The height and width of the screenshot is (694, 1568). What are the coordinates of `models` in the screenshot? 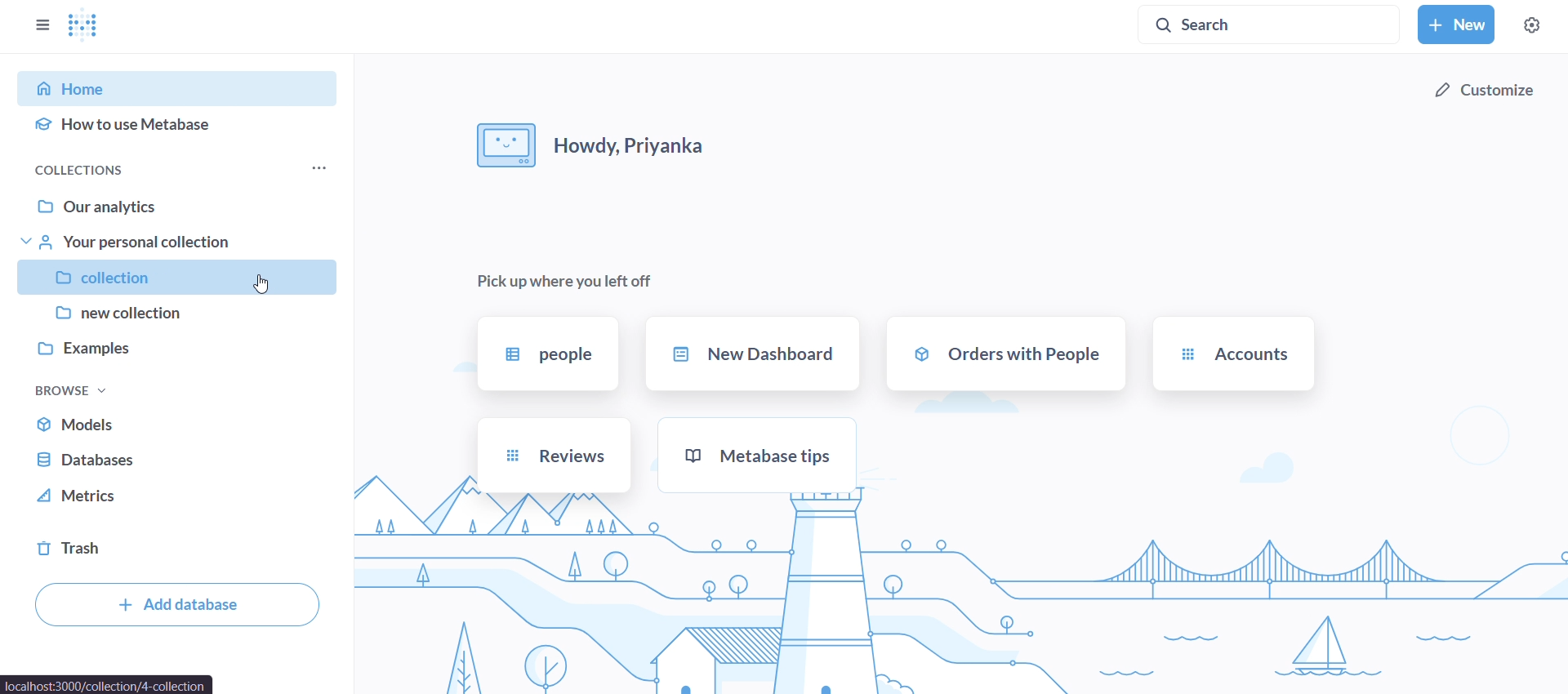 It's located at (178, 425).